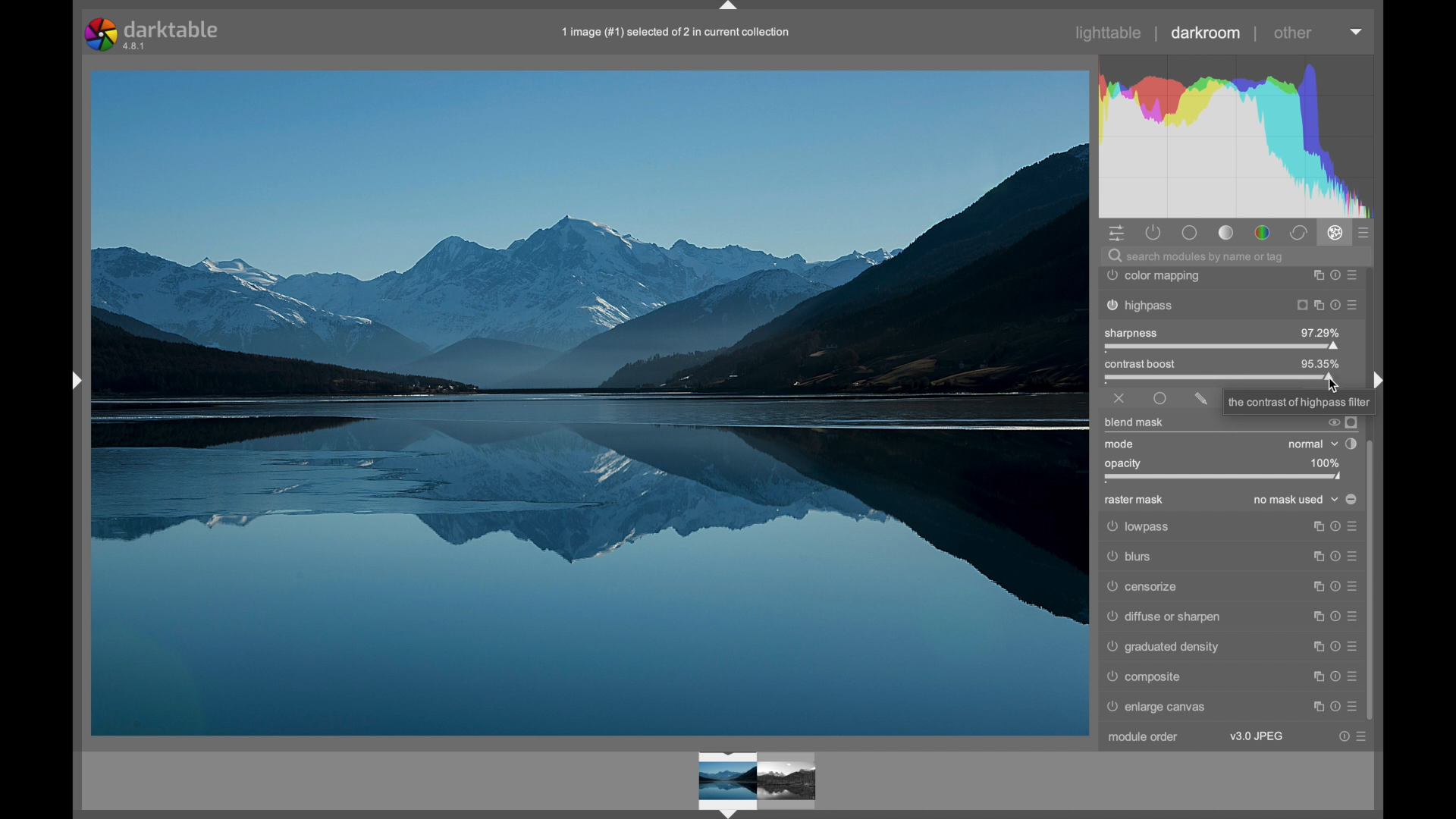  Describe the element at coordinates (1257, 736) in the screenshot. I see `v3.0 jpeg` at that location.